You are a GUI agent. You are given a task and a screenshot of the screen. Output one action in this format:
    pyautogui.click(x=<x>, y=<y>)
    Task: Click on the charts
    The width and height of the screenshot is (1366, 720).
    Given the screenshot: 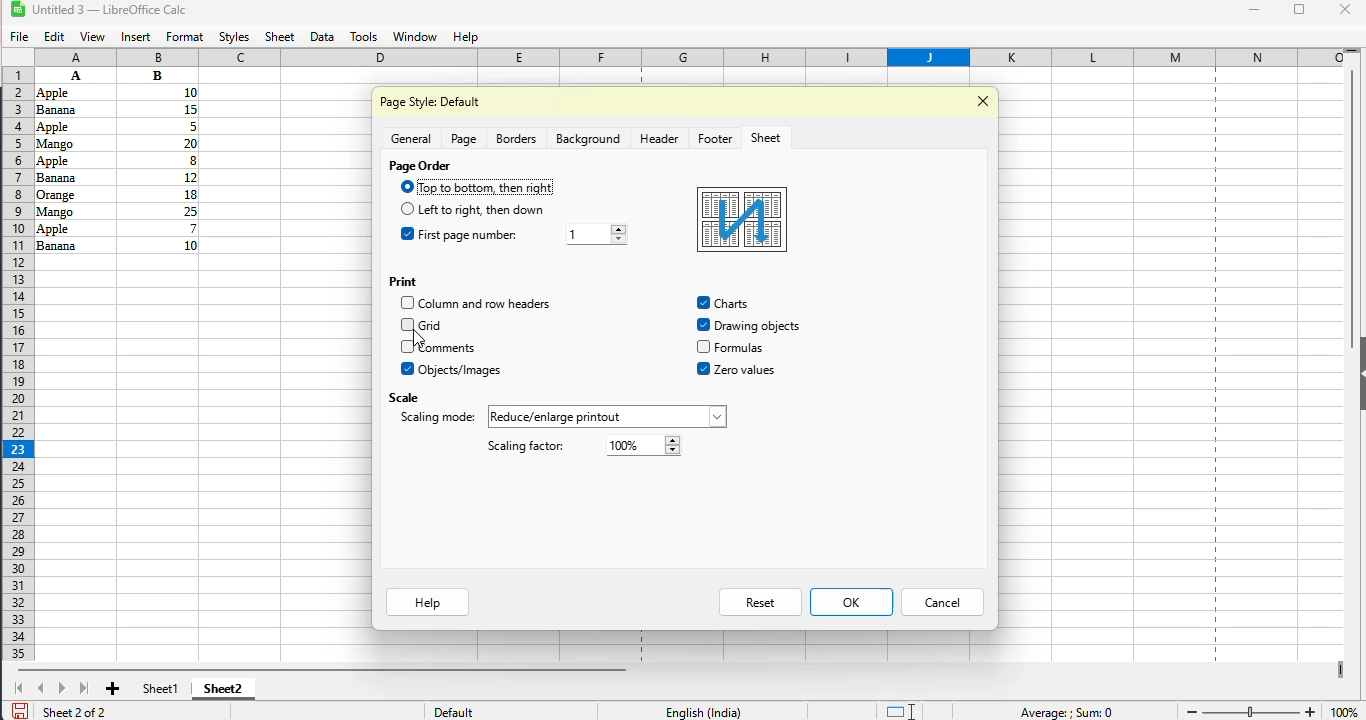 What is the action you would take?
    pyautogui.click(x=704, y=302)
    